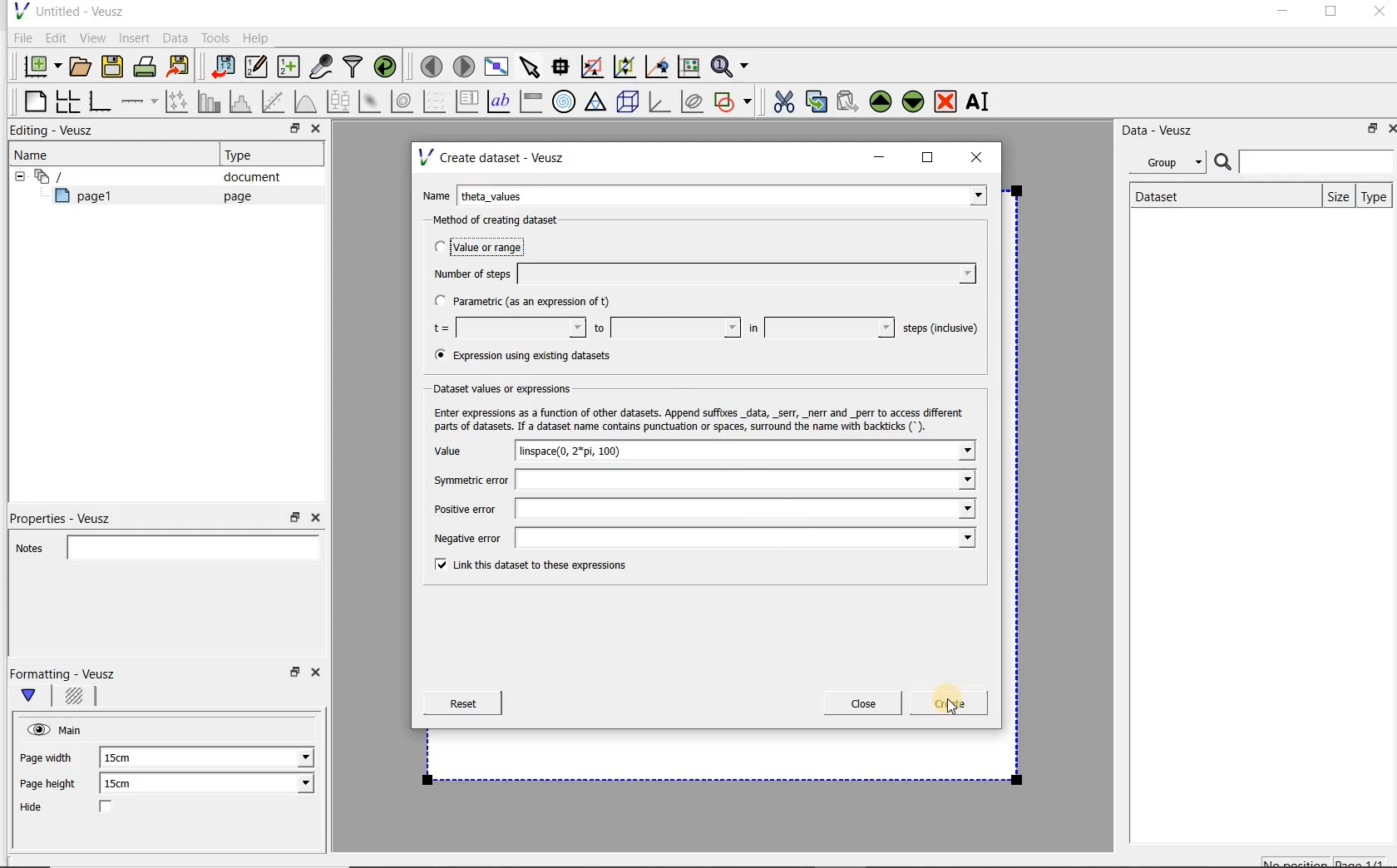 The height and width of the screenshot is (868, 1397). Describe the element at coordinates (863, 703) in the screenshot. I see `Close` at that location.